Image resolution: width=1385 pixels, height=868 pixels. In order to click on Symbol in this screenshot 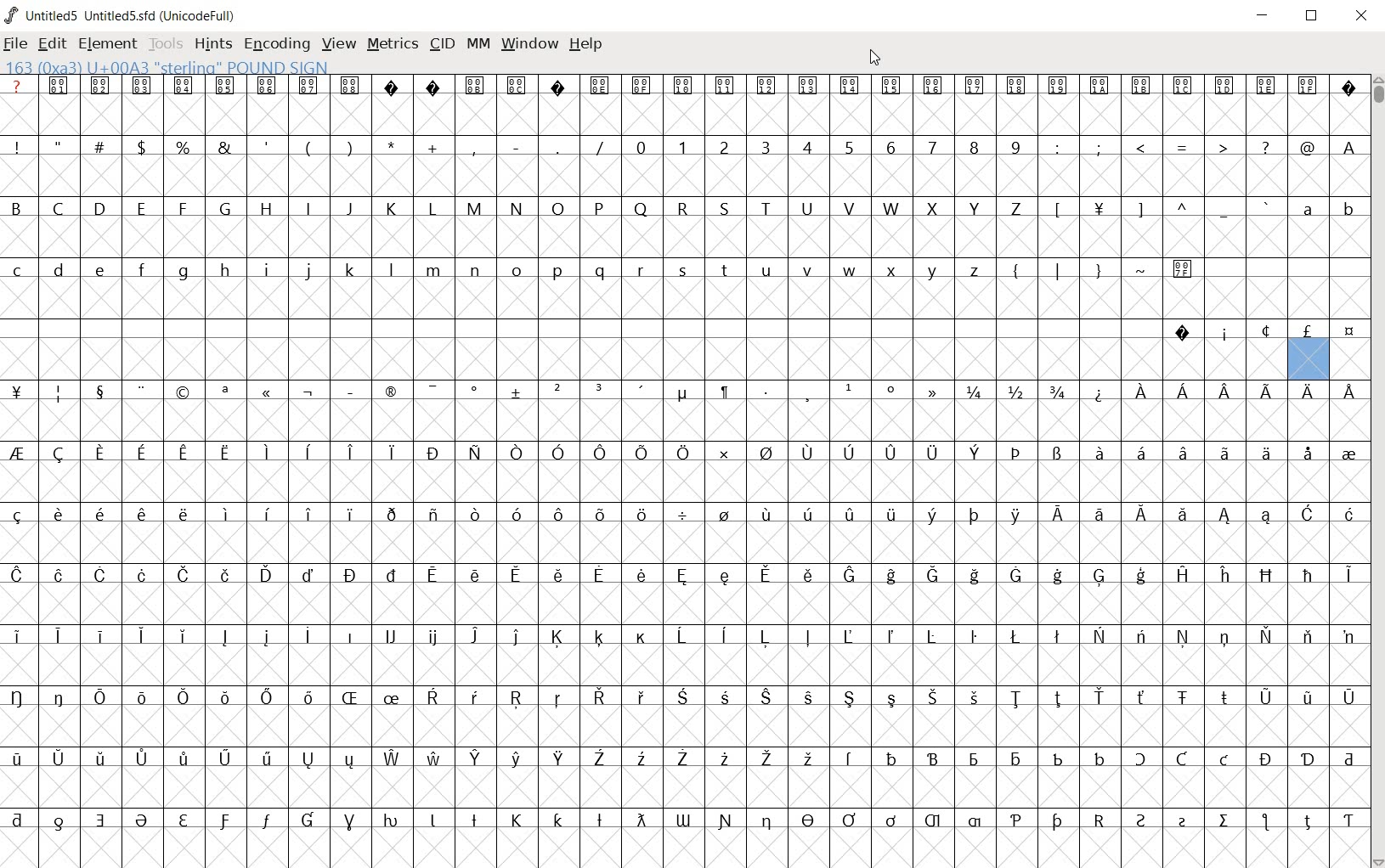, I will do `click(1268, 518)`.